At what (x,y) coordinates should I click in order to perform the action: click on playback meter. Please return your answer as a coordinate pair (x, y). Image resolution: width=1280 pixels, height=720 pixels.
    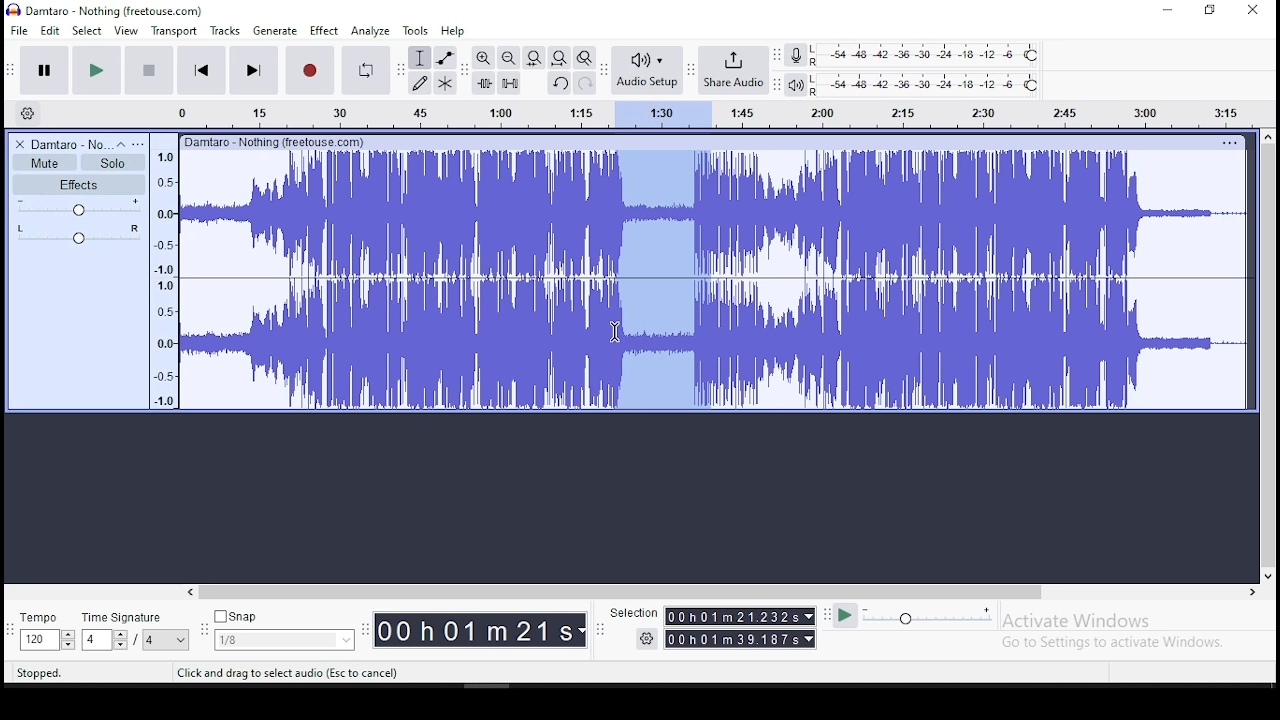
    Looking at the image, I should click on (797, 85).